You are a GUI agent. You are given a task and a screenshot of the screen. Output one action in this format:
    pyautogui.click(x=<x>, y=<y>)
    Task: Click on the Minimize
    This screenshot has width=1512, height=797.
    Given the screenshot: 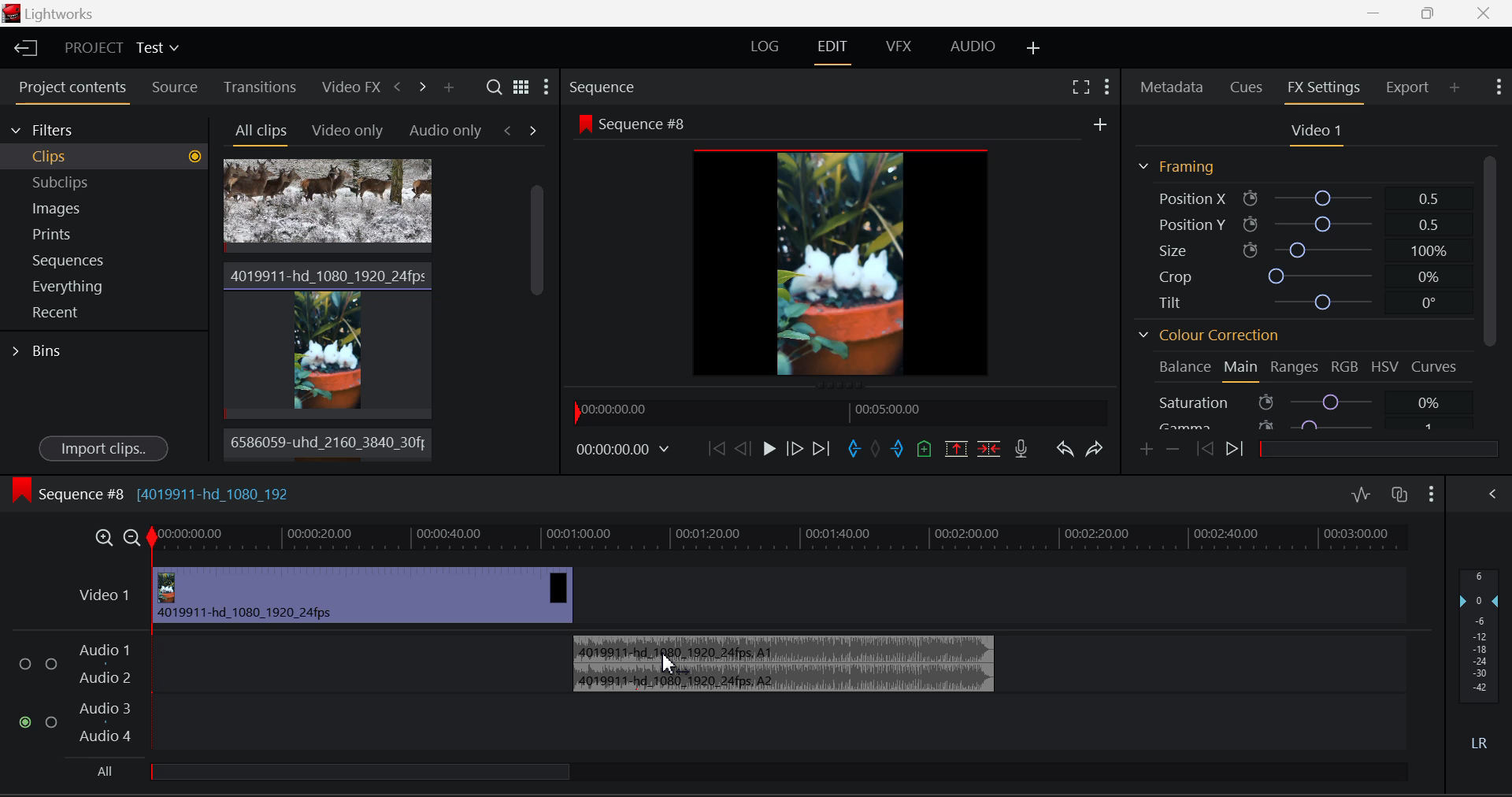 What is the action you would take?
    pyautogui.click(x=1431, y=13)
    